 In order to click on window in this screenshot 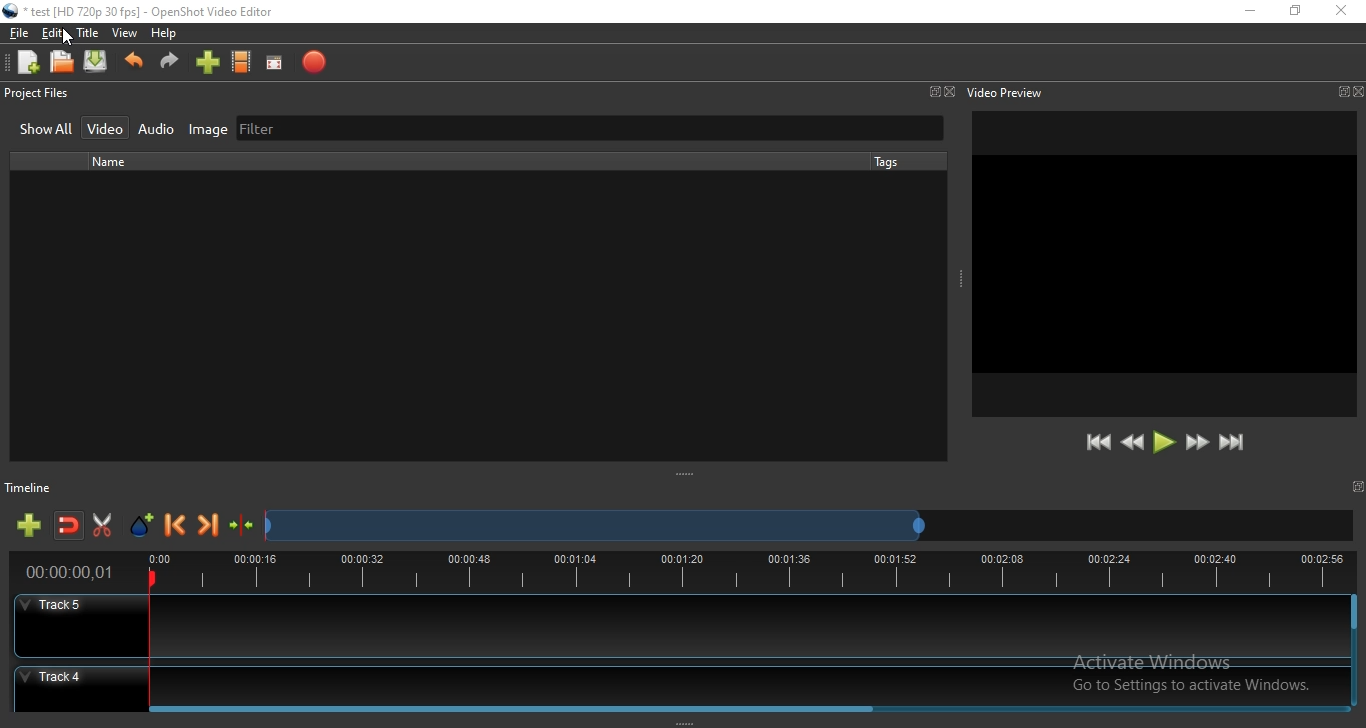, I will do `click(1341, 92)`.